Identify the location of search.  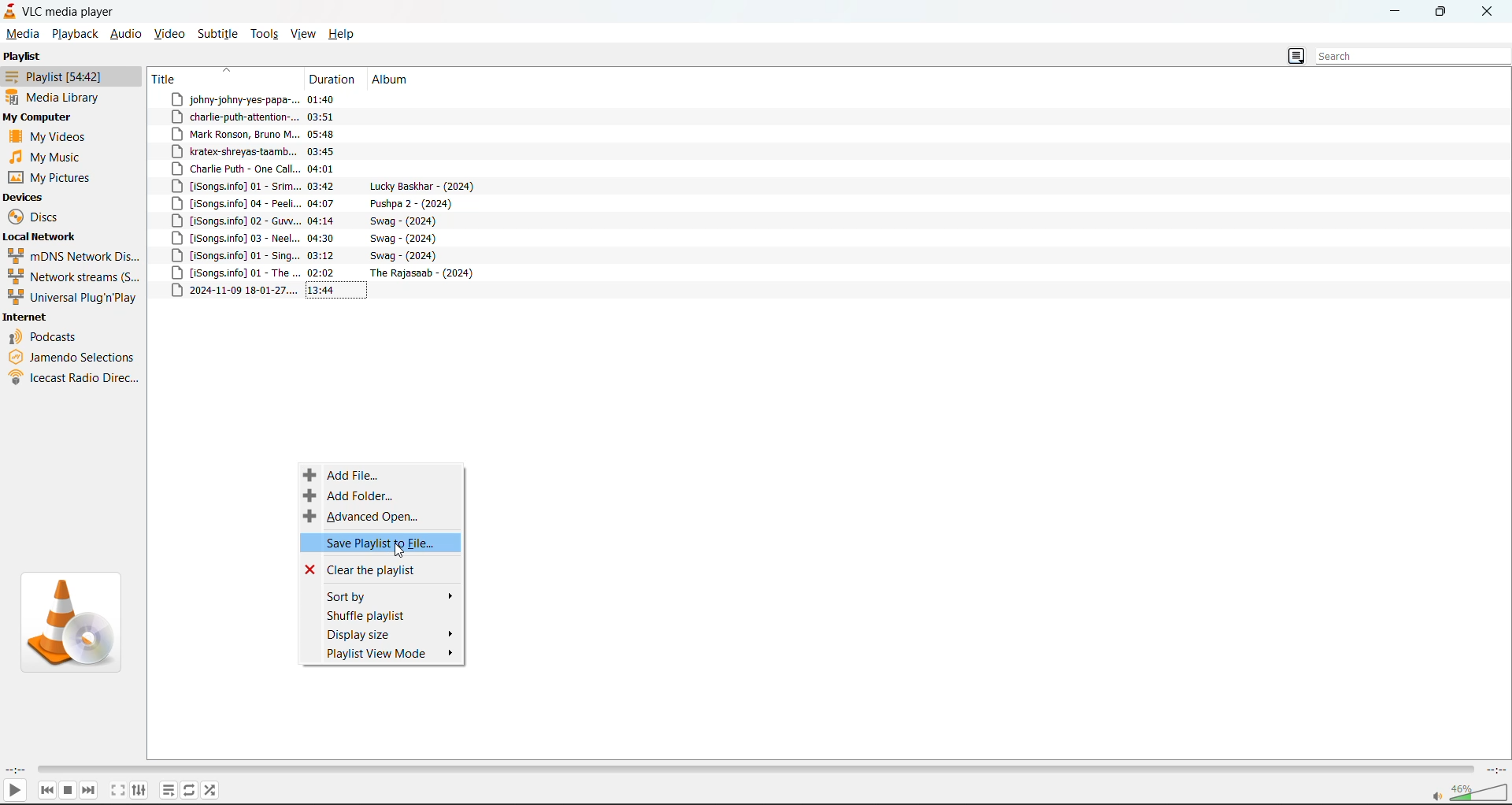
(1413, 57).